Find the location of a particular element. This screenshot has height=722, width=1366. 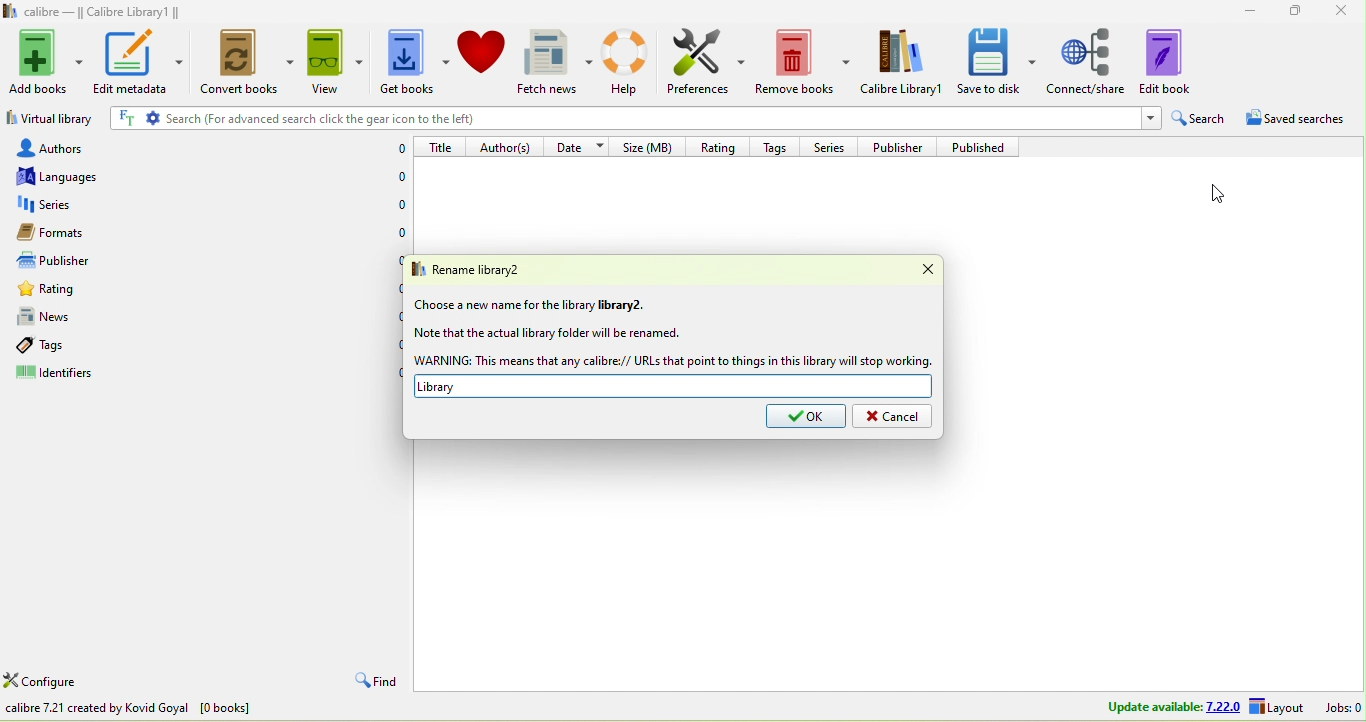

formats is located at coordinates (75, 232).